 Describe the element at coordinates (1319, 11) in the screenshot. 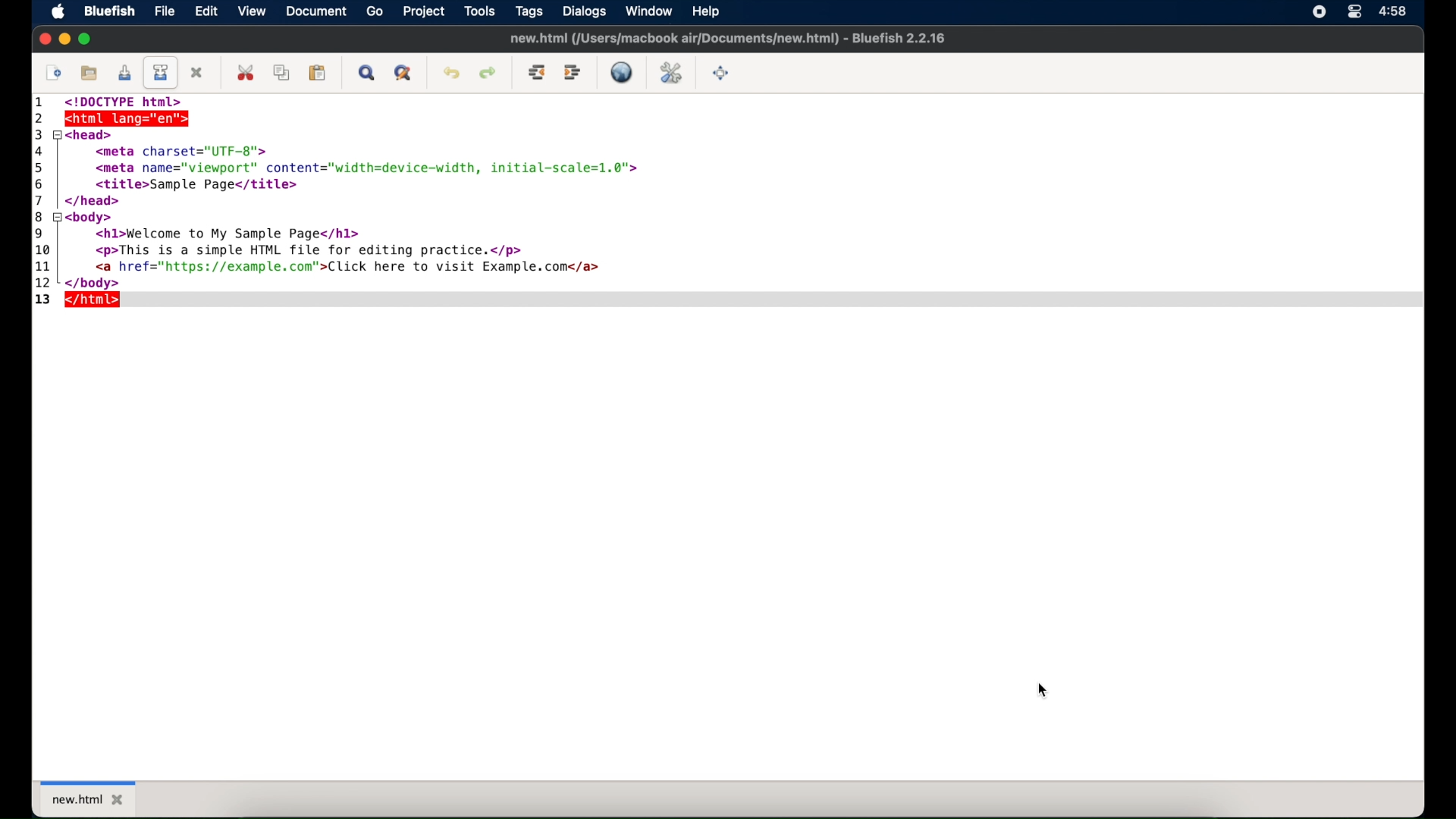

I see `screen recorder icon` at that location.